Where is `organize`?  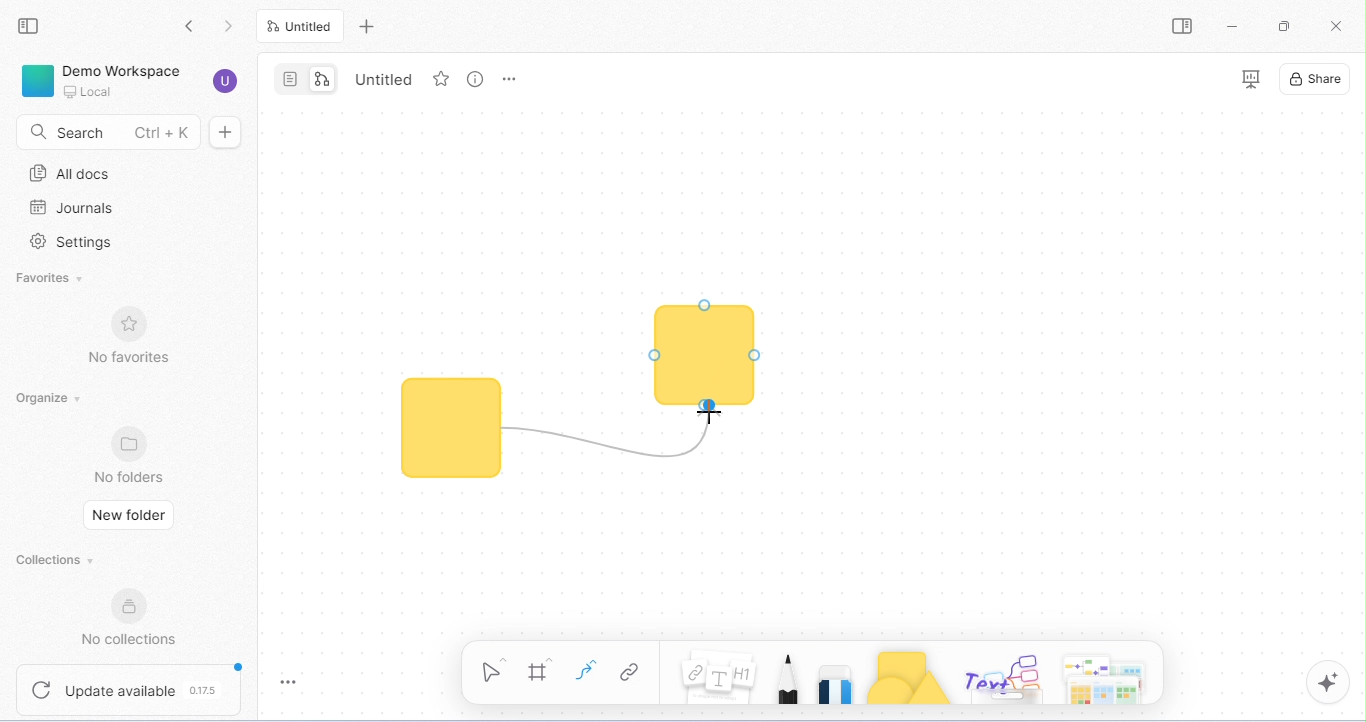
organize is located at coordinates (51, 398).